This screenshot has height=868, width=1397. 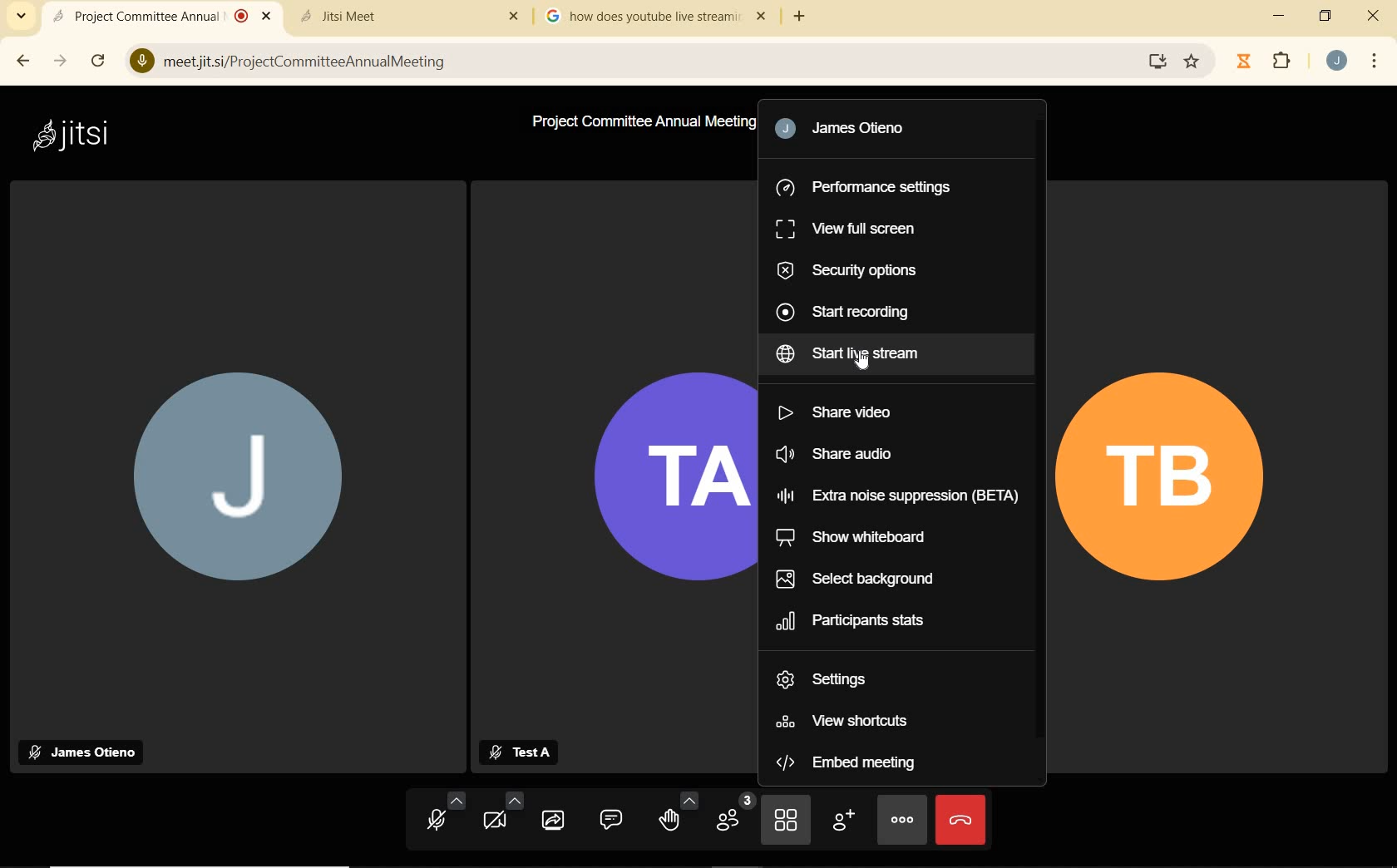 I want to click on Install Google Meet, so click(x=1158, y=62).